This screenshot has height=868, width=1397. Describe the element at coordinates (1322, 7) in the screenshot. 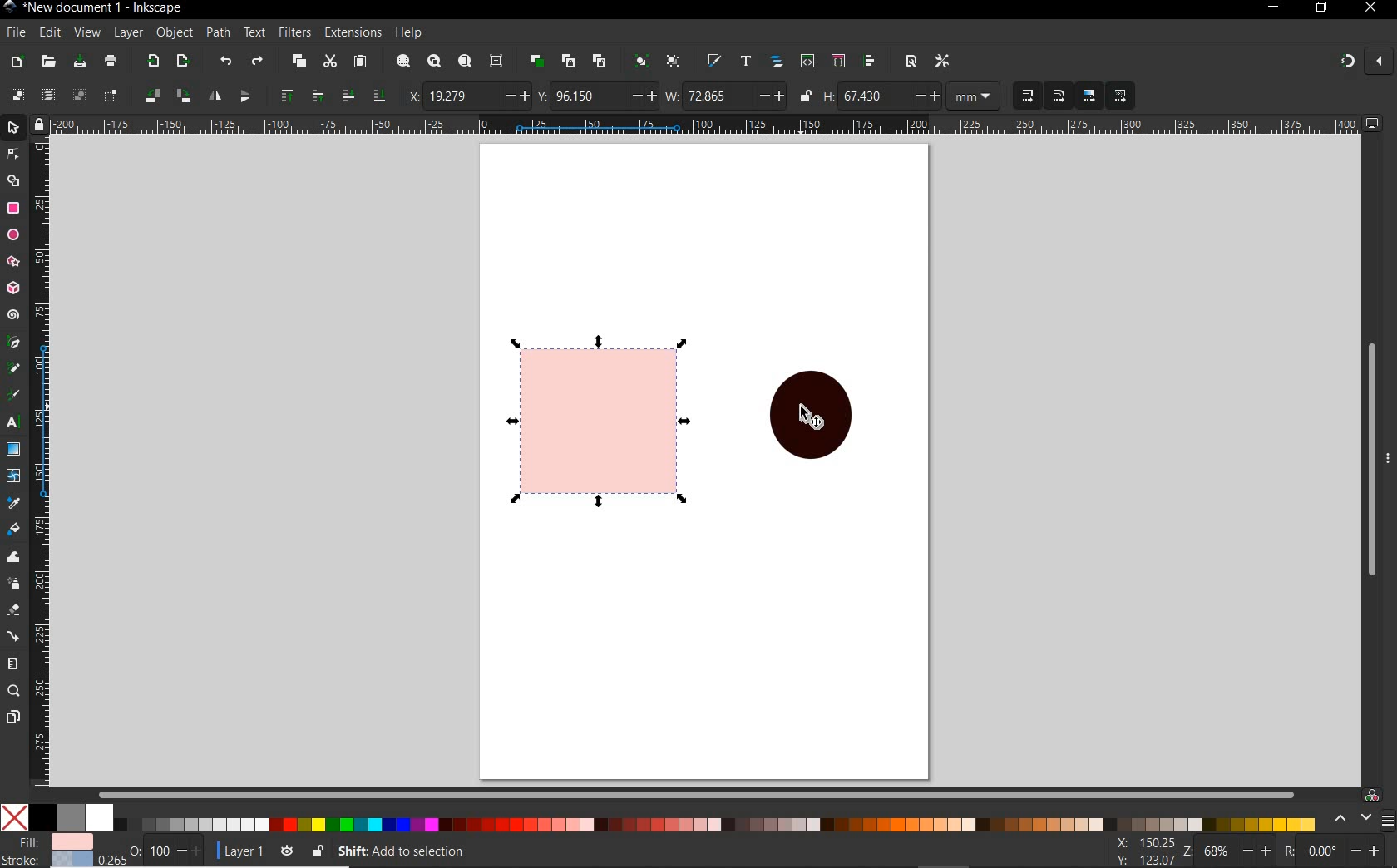

I see `restore` at that location.